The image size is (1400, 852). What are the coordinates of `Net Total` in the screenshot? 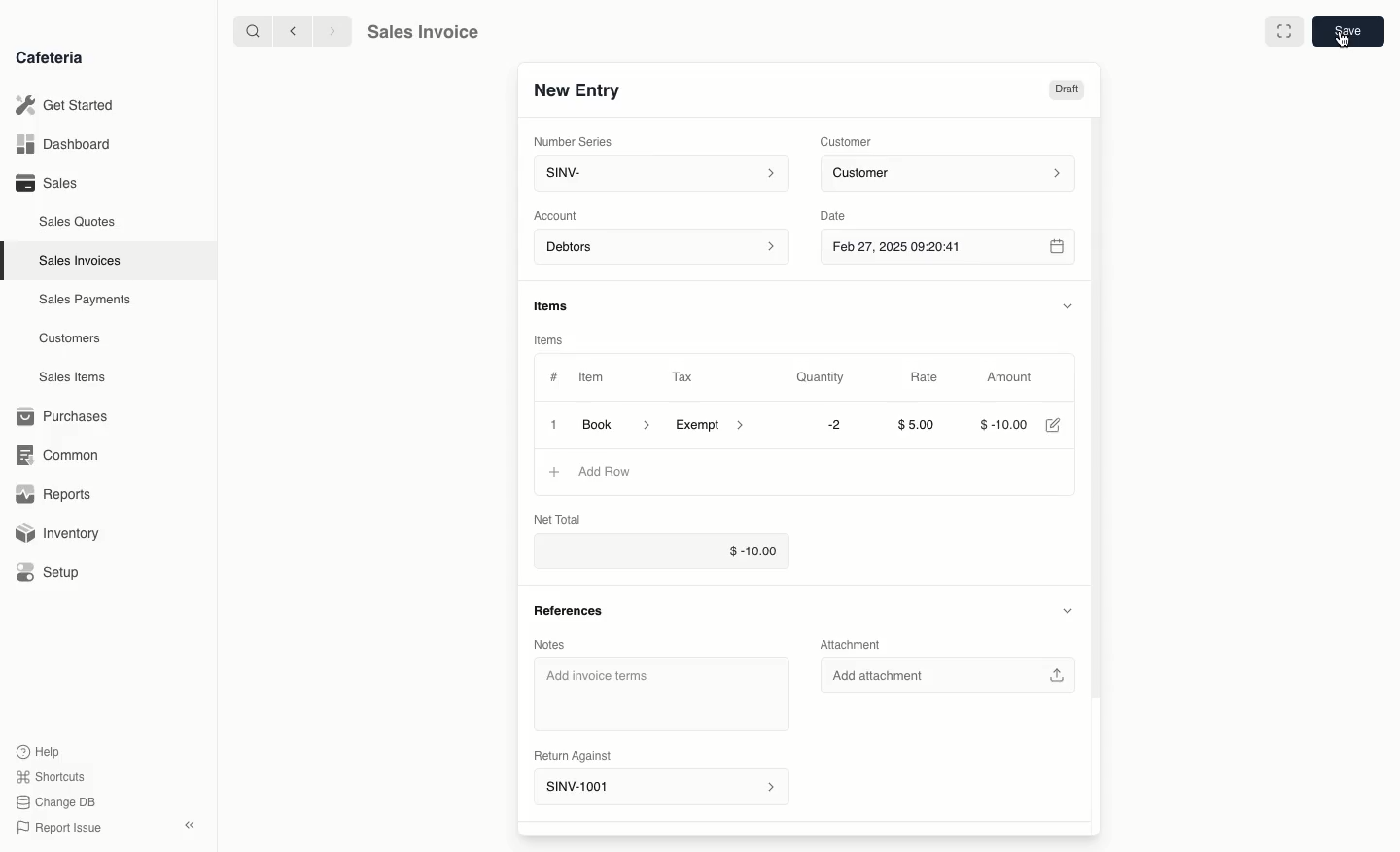 It's located at (564, 517).